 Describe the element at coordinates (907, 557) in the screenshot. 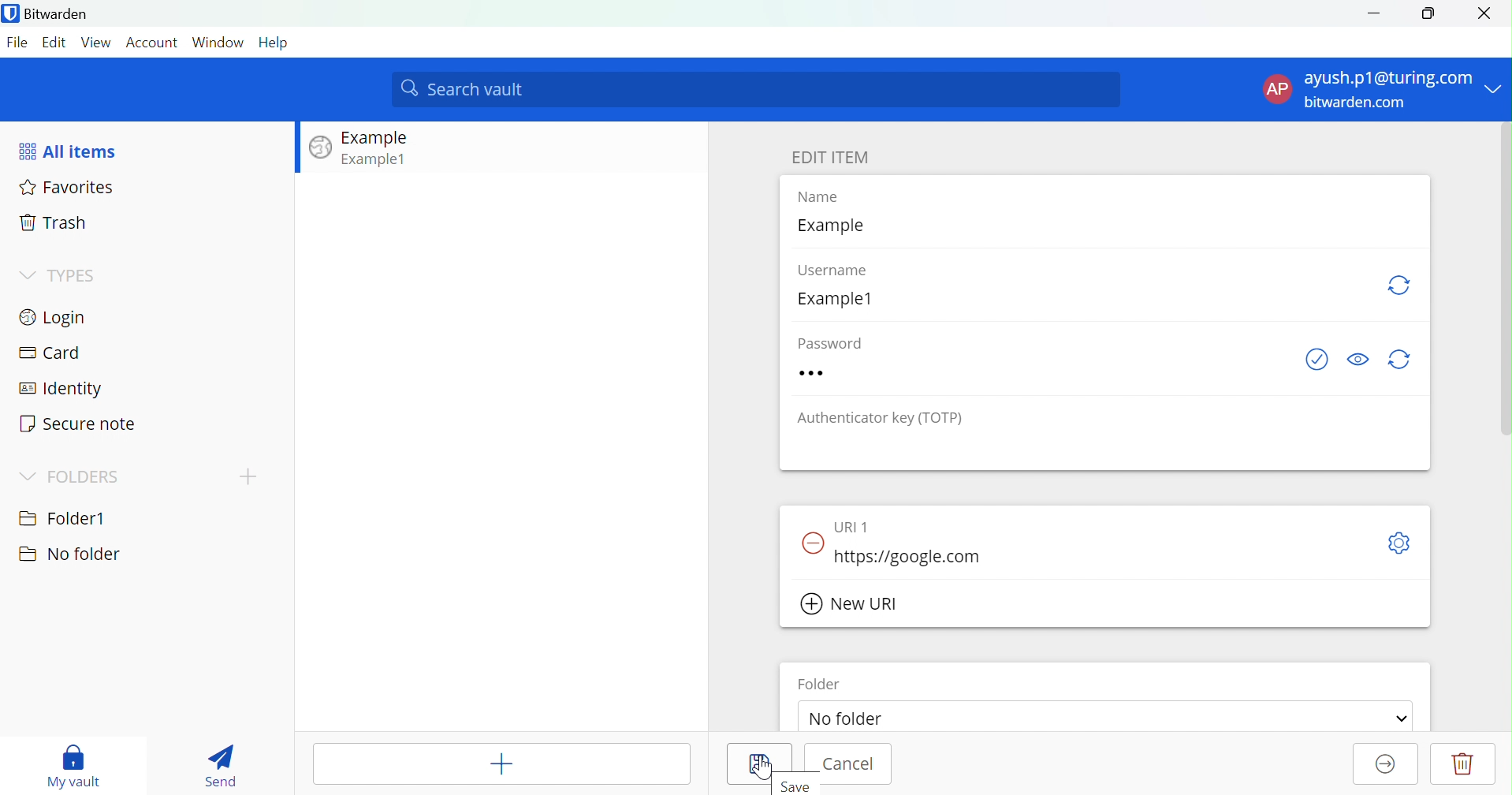

I see `https://google.com` at that location.